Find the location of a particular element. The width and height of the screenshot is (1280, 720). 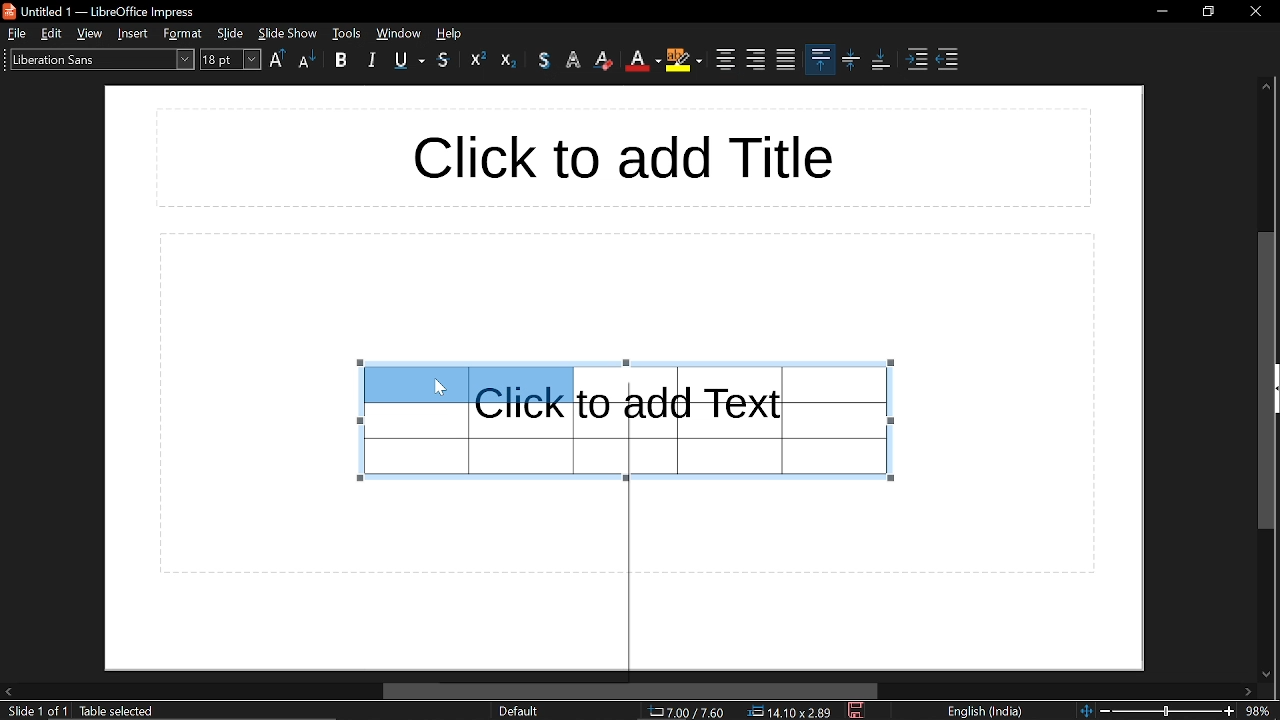

view is located at coordinates (91, 33).